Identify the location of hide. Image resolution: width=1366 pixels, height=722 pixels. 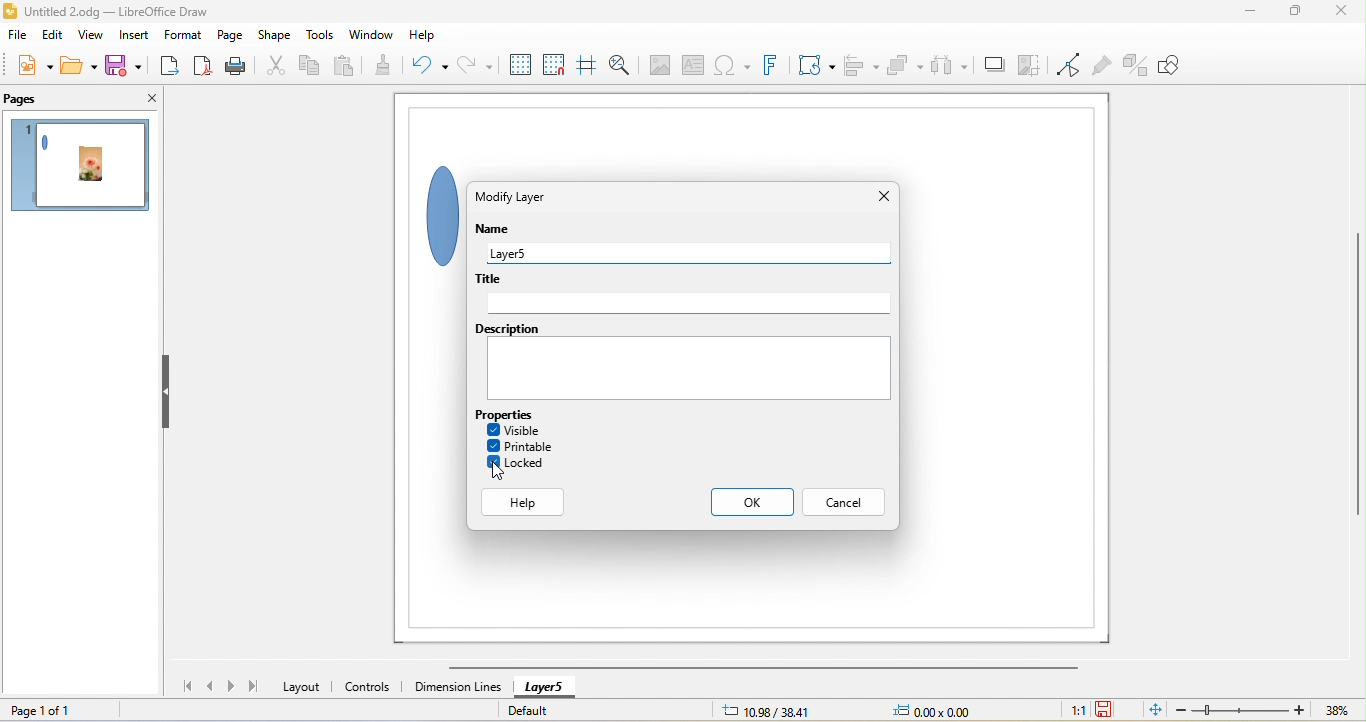
(168, 393).